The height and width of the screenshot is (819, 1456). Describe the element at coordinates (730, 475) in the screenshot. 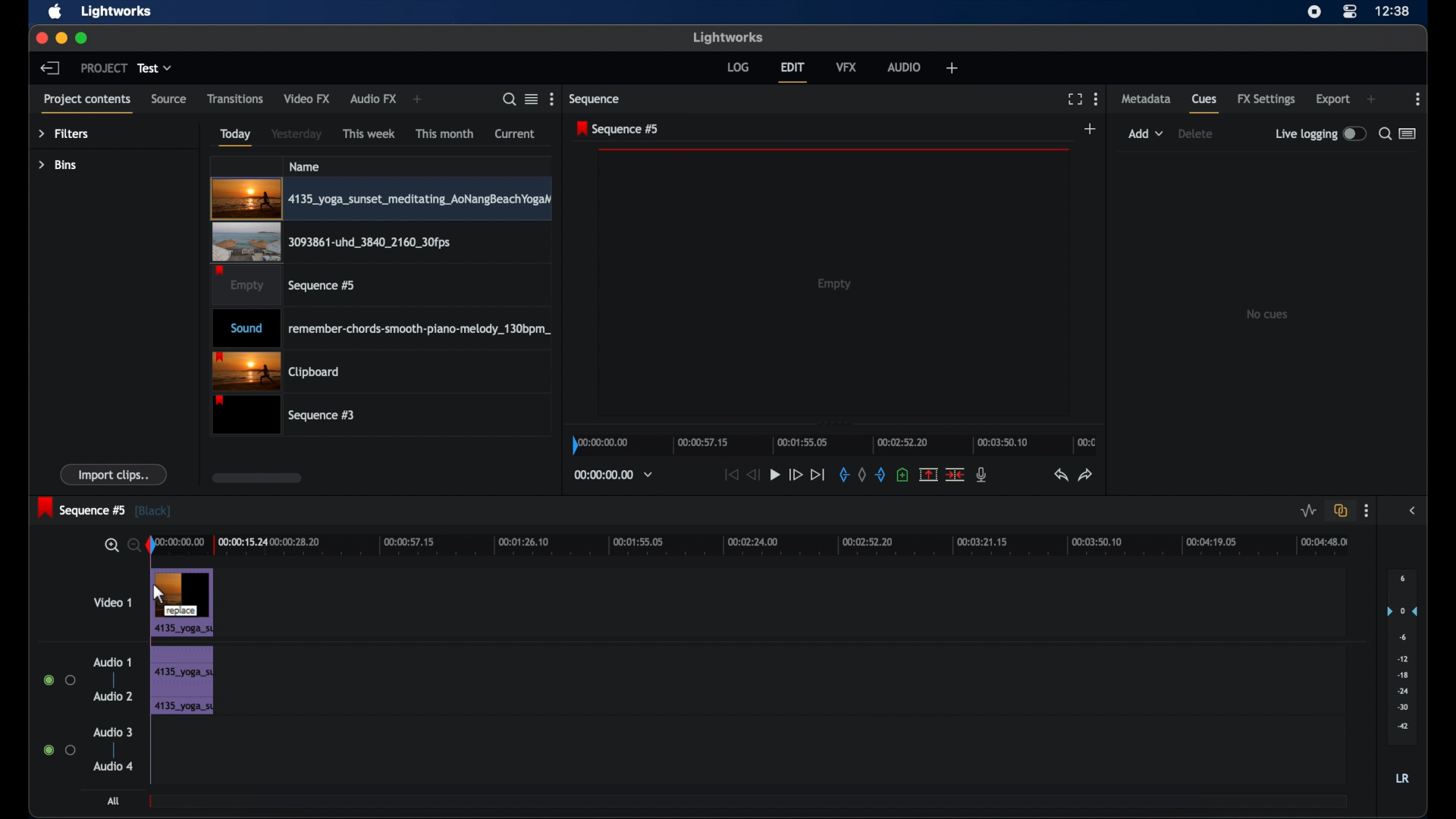

I see `jump to  start` at that location.